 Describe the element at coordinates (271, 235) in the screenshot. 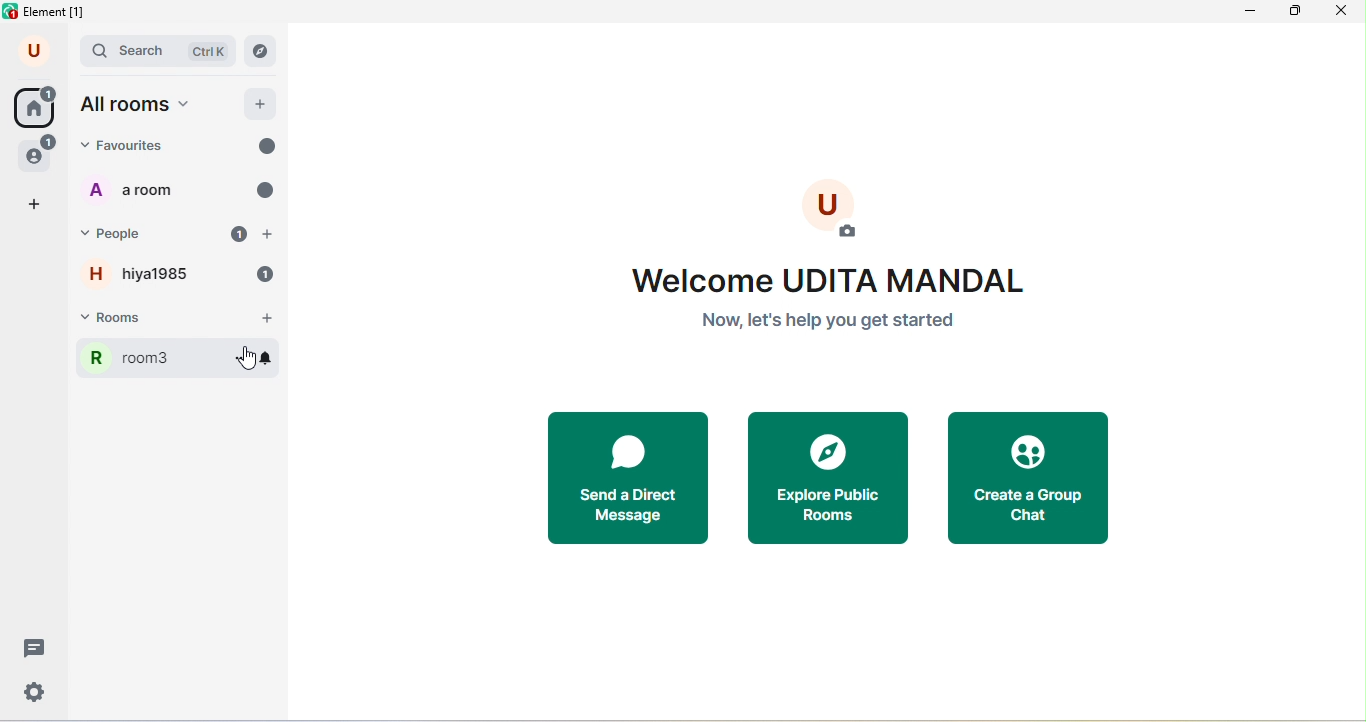

I see `add prople` at that location.